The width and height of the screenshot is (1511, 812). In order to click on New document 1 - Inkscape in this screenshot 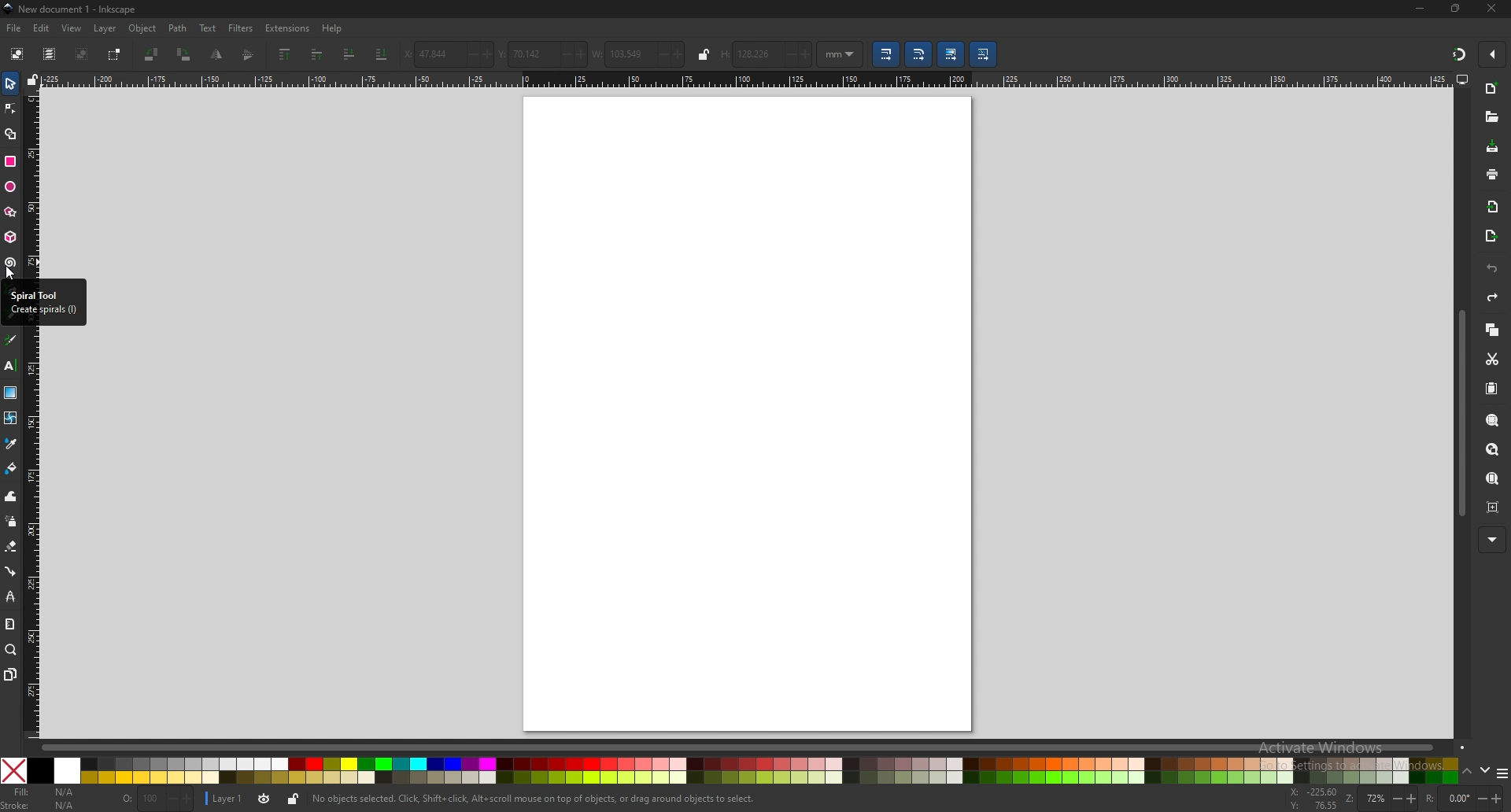, I will do `click(71, 9)`.